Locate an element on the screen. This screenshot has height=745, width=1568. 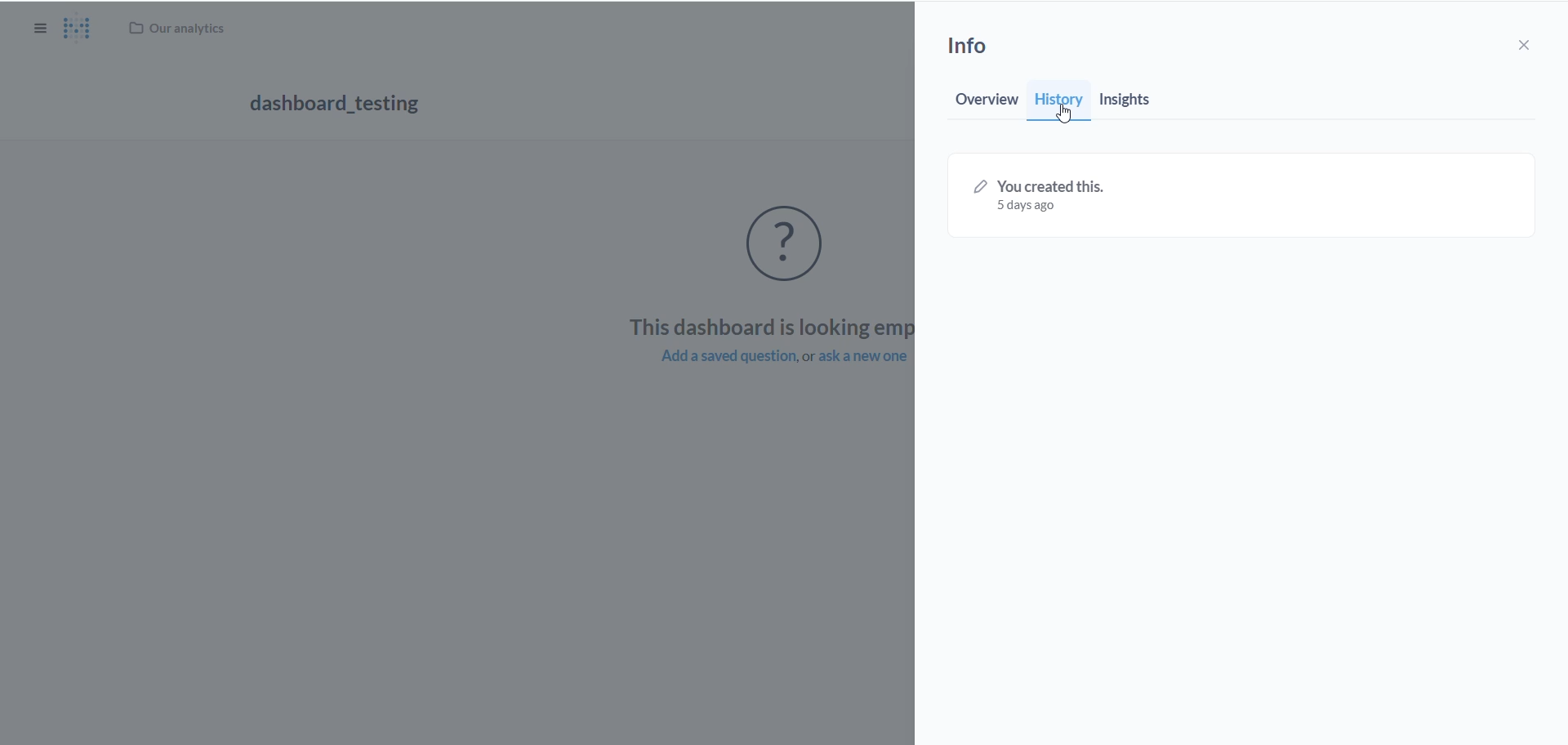
show/hide sidebar is located at coordinates (42, 31).